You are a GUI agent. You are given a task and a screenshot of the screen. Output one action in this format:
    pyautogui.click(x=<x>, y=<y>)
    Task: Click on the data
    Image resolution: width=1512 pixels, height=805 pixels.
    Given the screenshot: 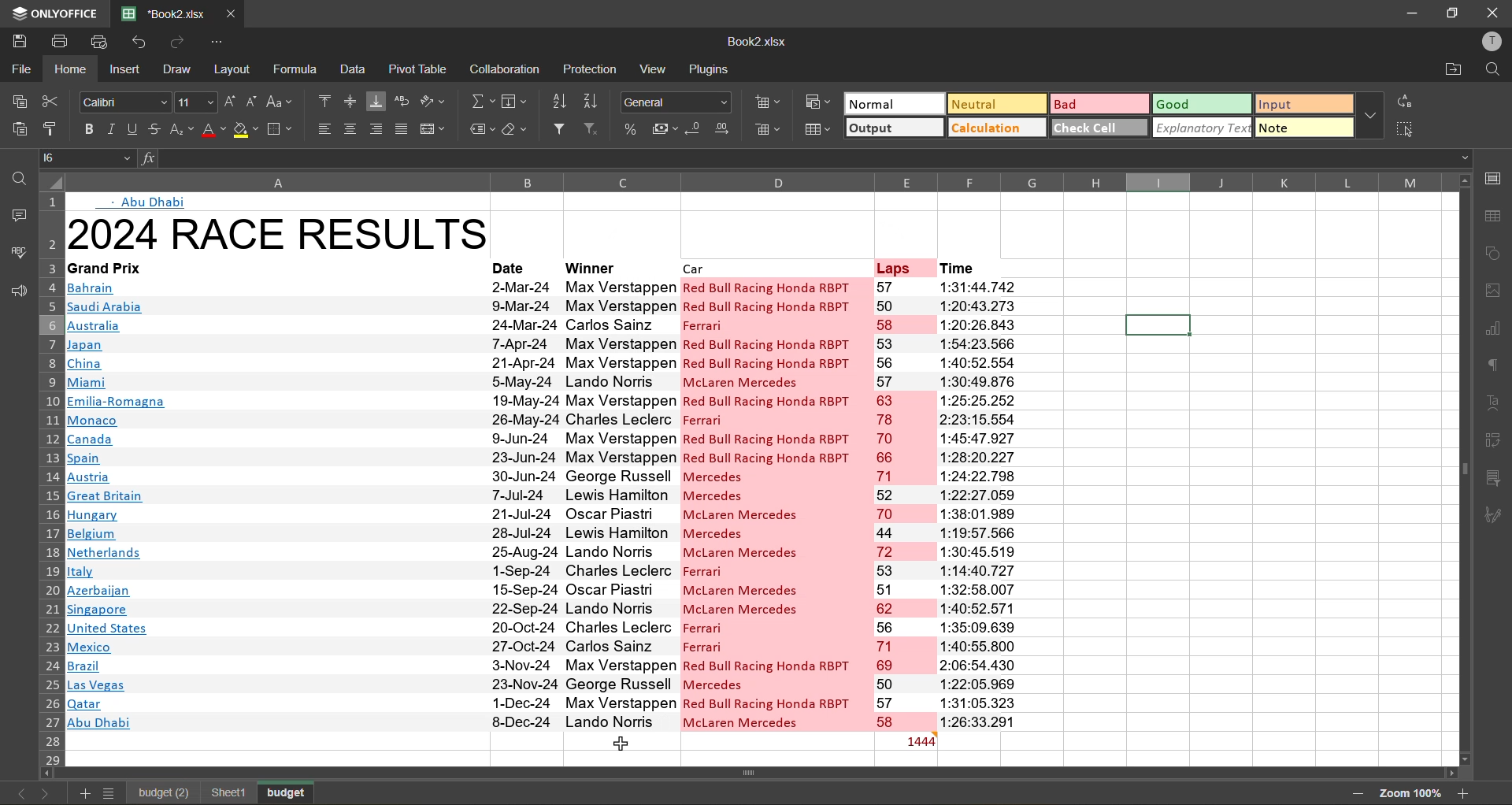 What is the action you would take?
    pyautogui.click(x=354, y=70)
    